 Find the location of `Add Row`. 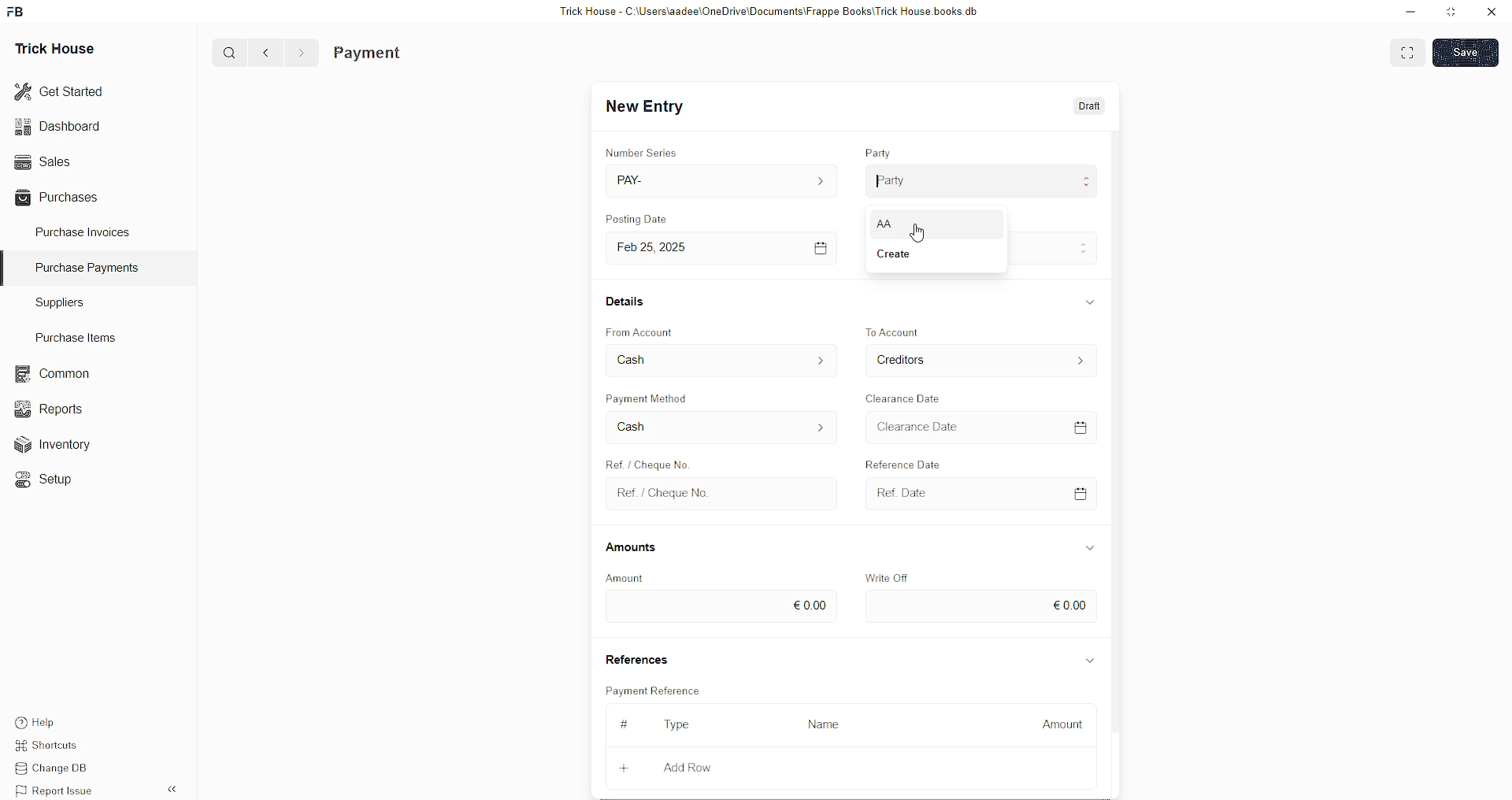

Add Row is located at coordinates (688, 767).